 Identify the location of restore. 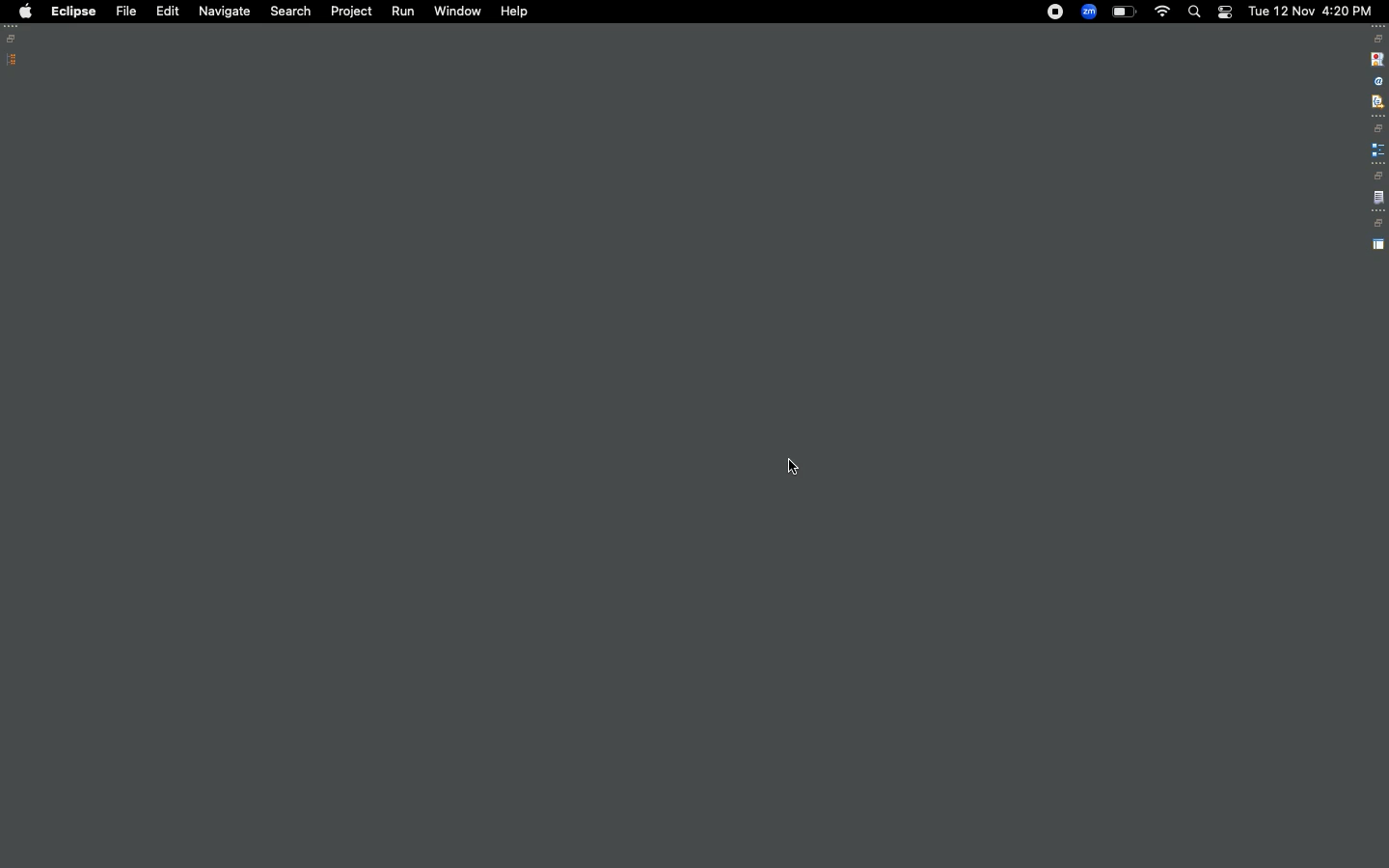
(1377, 176).